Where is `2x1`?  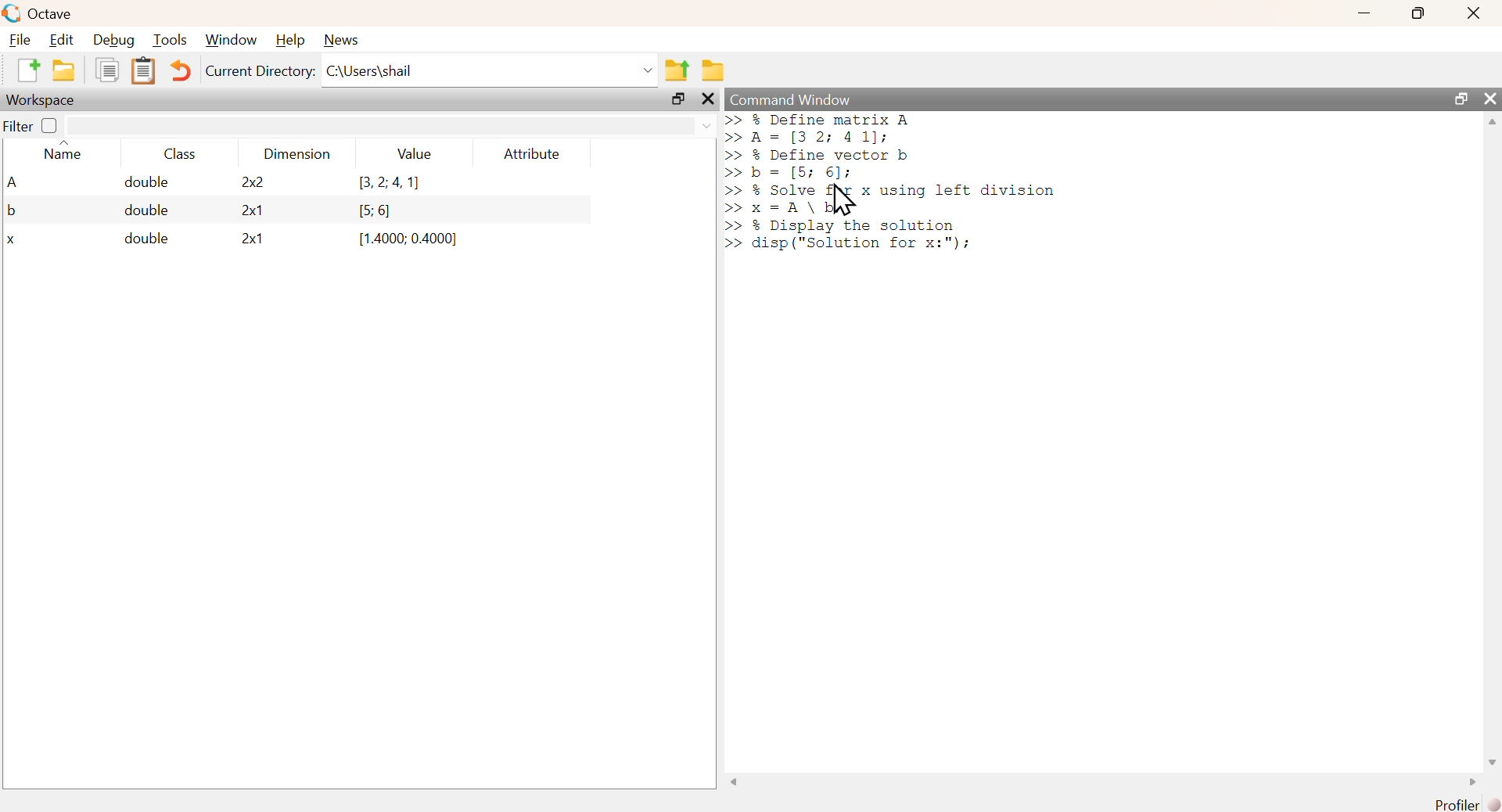 2x1 is located at coordinates (243, 210).